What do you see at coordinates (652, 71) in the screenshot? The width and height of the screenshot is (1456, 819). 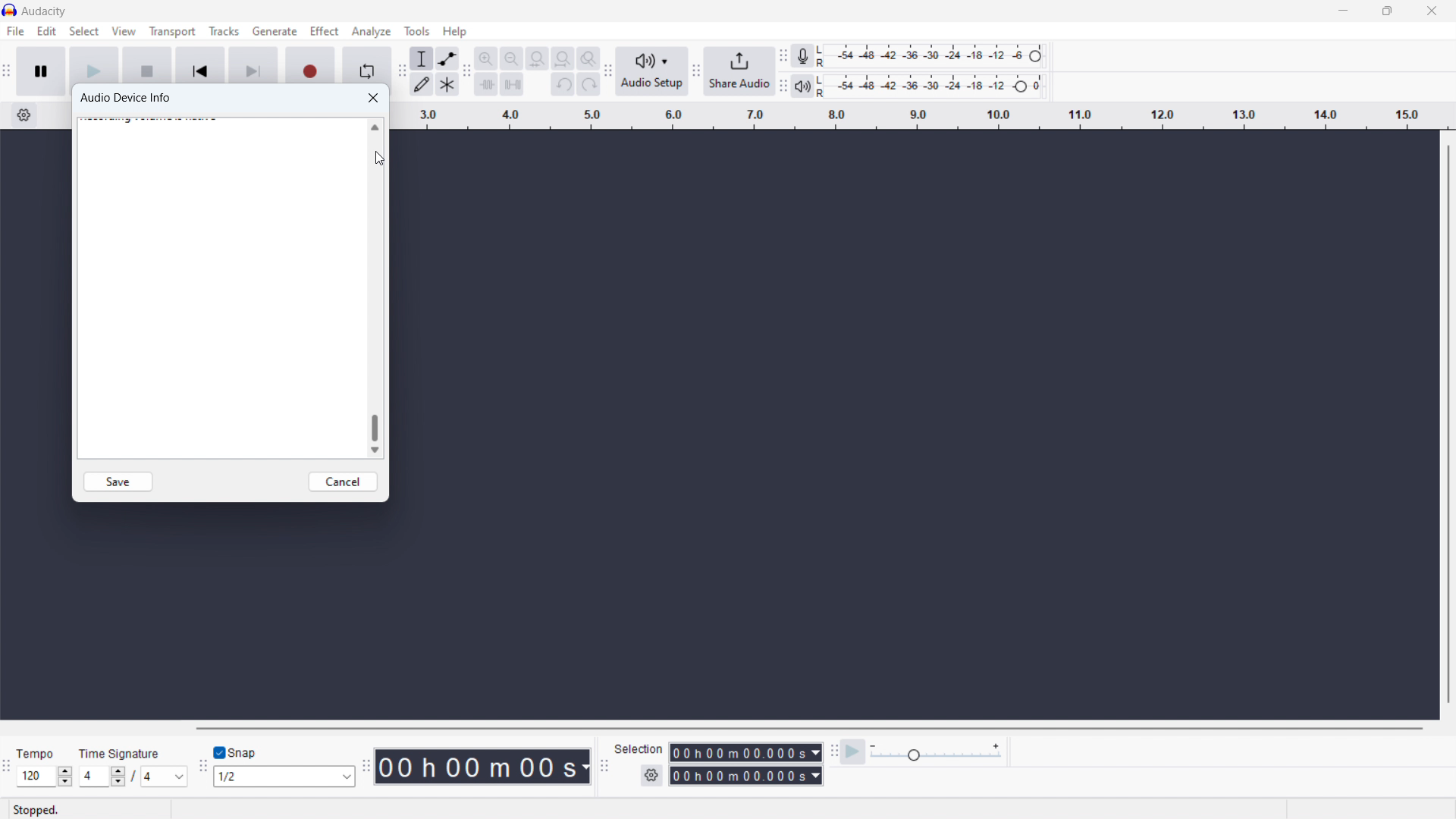 I see `audio setup` at bounding box center [652, 71].